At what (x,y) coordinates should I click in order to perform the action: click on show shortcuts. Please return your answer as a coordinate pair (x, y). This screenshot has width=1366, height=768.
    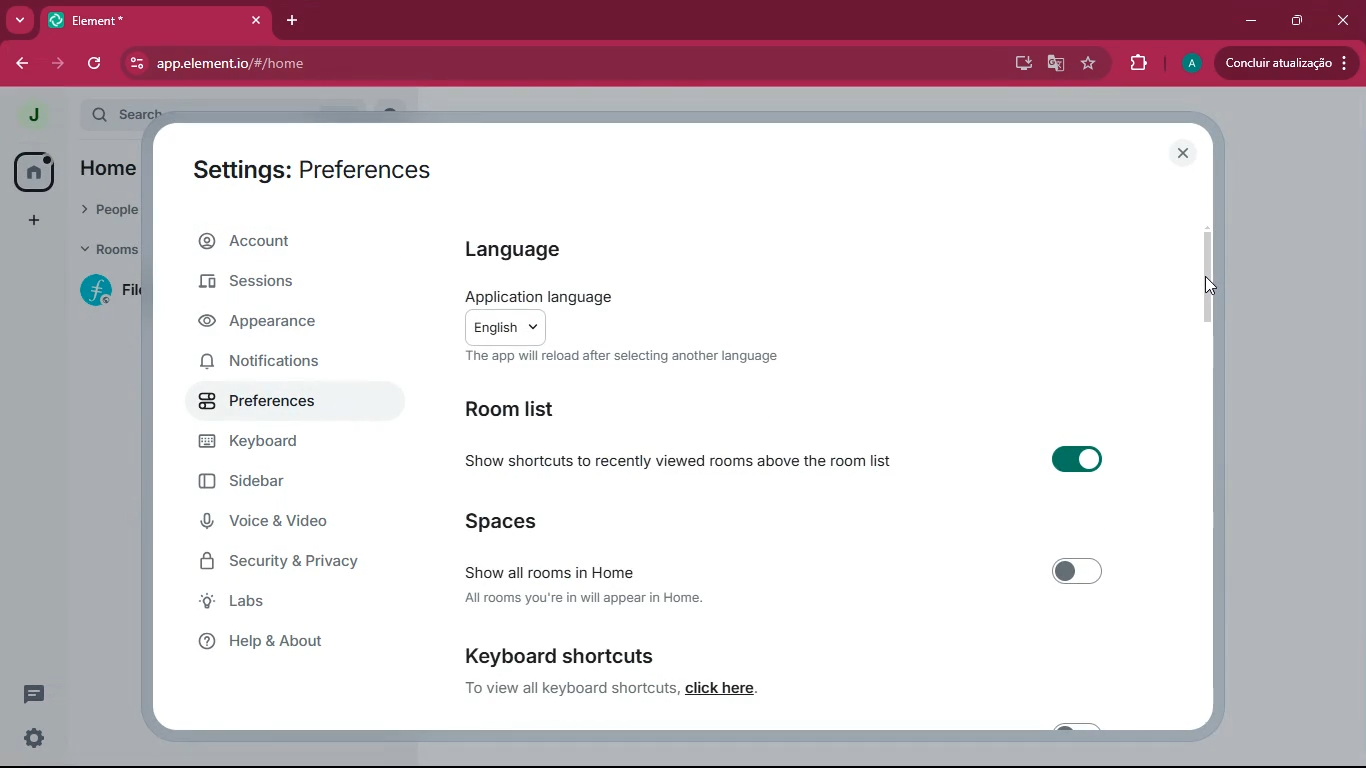
    Looking at the image, I should click on (792, 459).